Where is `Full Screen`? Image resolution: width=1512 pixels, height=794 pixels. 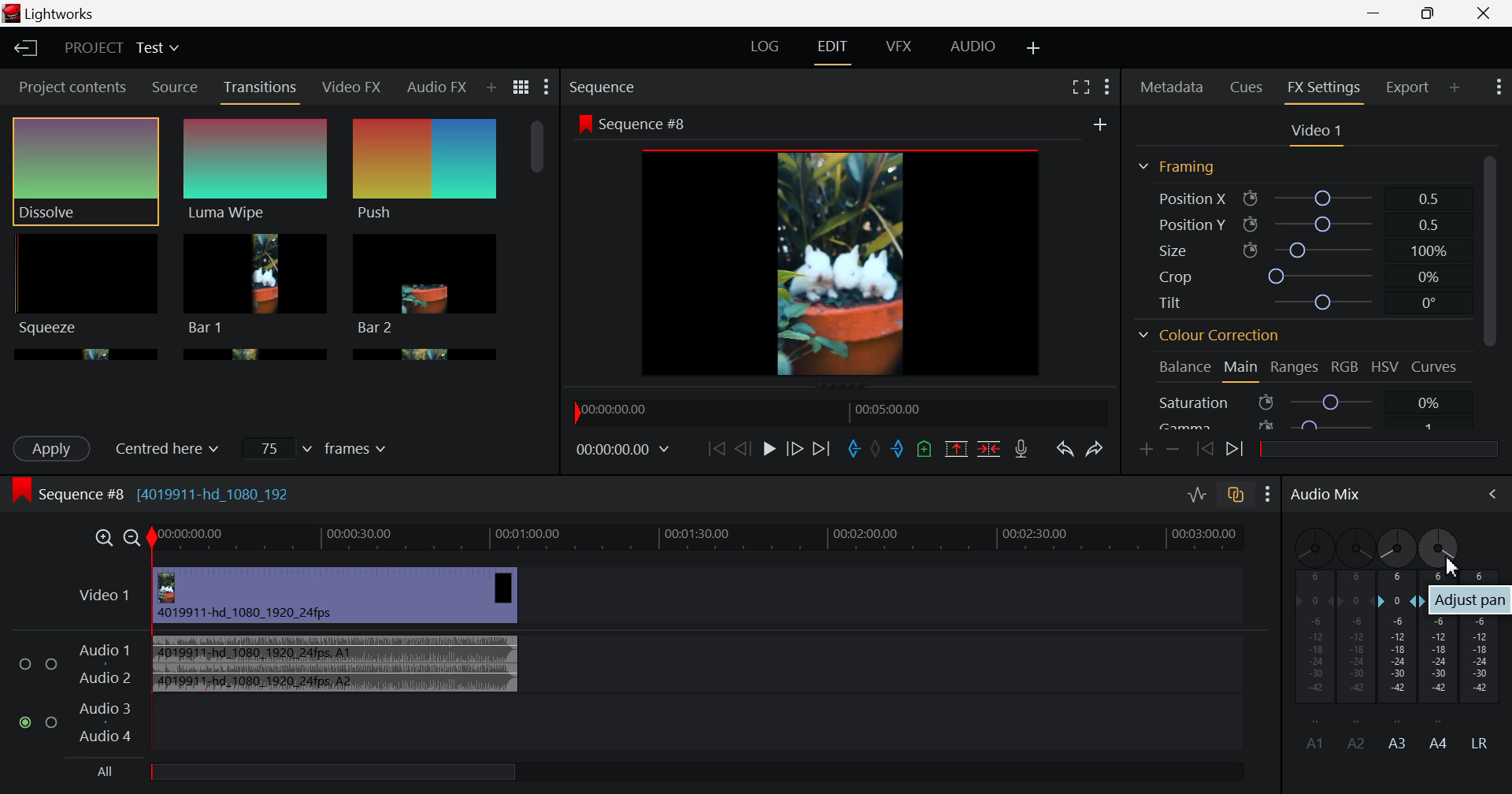 Full Screen is located at coordinates (1080, 87).